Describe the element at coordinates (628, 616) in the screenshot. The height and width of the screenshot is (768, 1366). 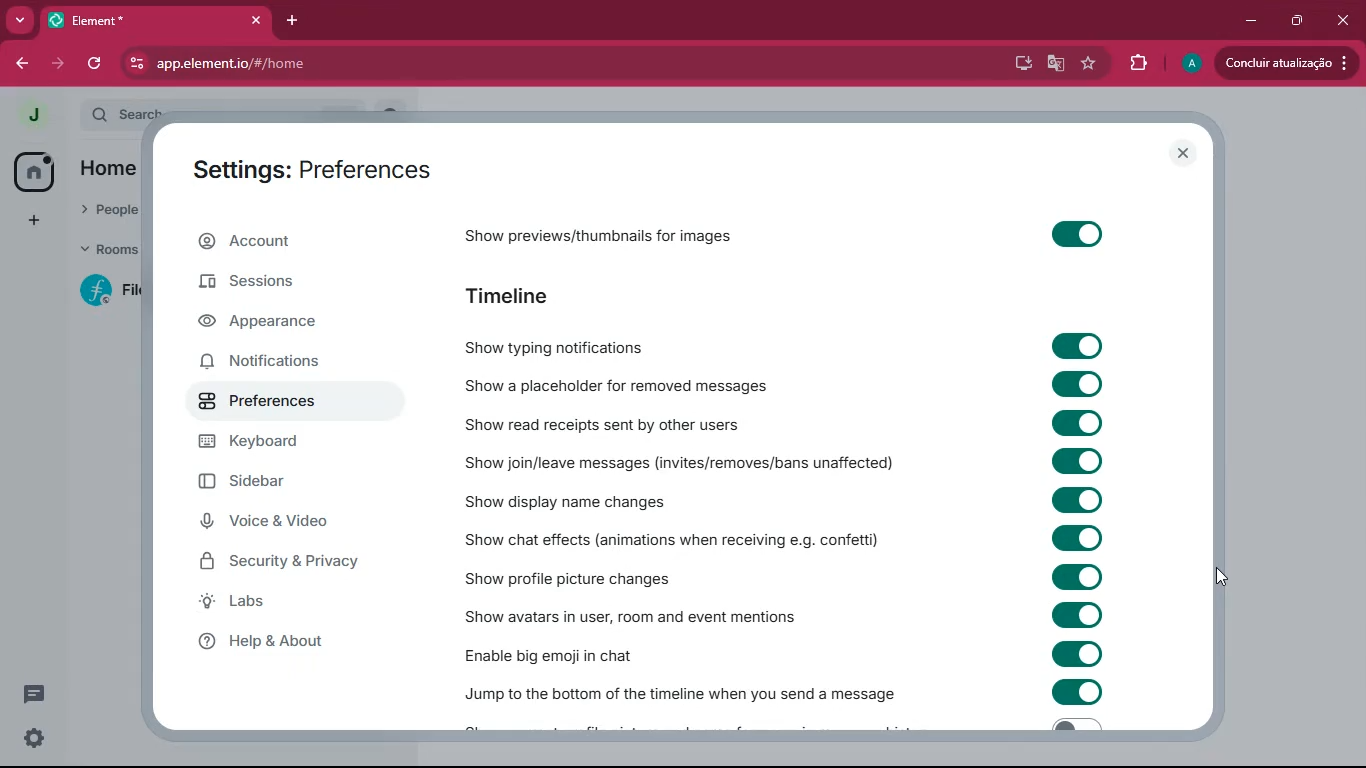
I see `show avatars in user, room and event mentions` at that location.